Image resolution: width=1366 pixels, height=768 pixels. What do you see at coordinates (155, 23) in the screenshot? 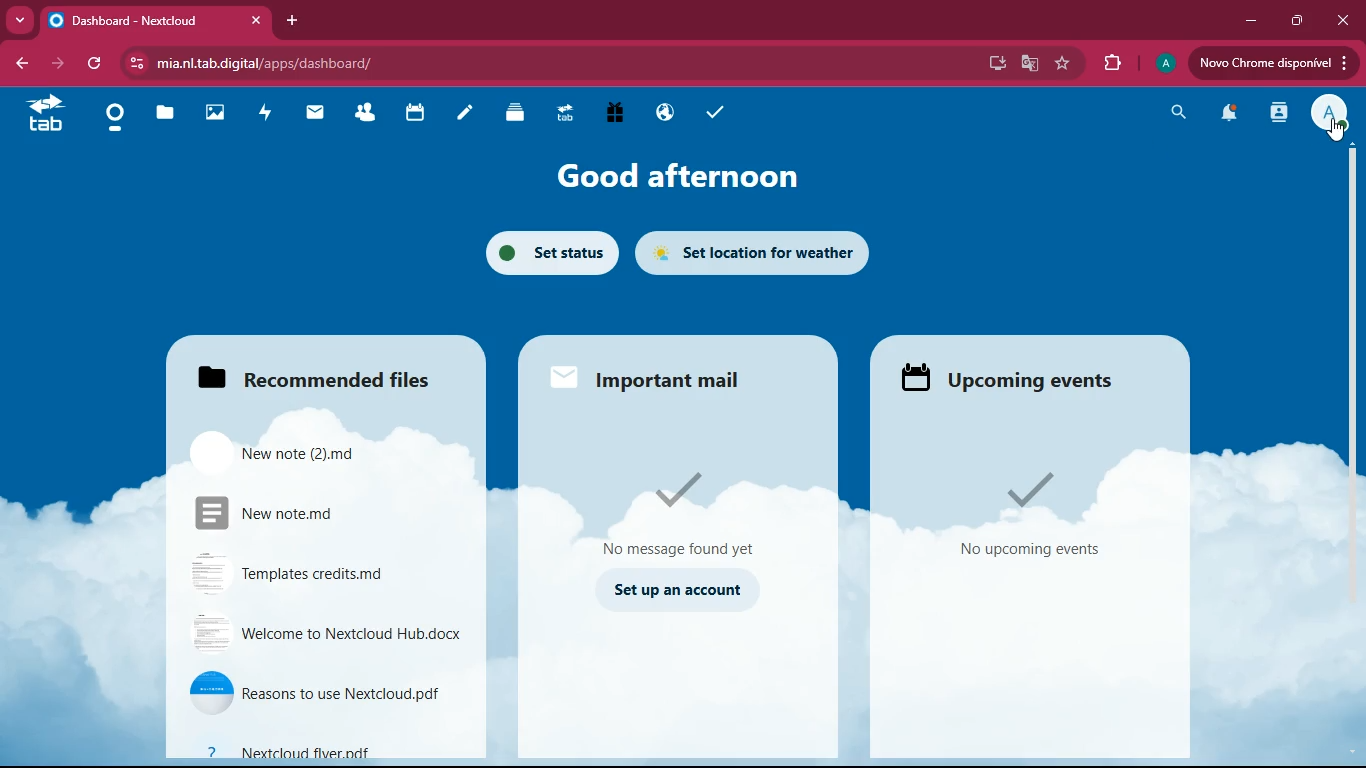
I see `tab` at bounding box center [155, 23].